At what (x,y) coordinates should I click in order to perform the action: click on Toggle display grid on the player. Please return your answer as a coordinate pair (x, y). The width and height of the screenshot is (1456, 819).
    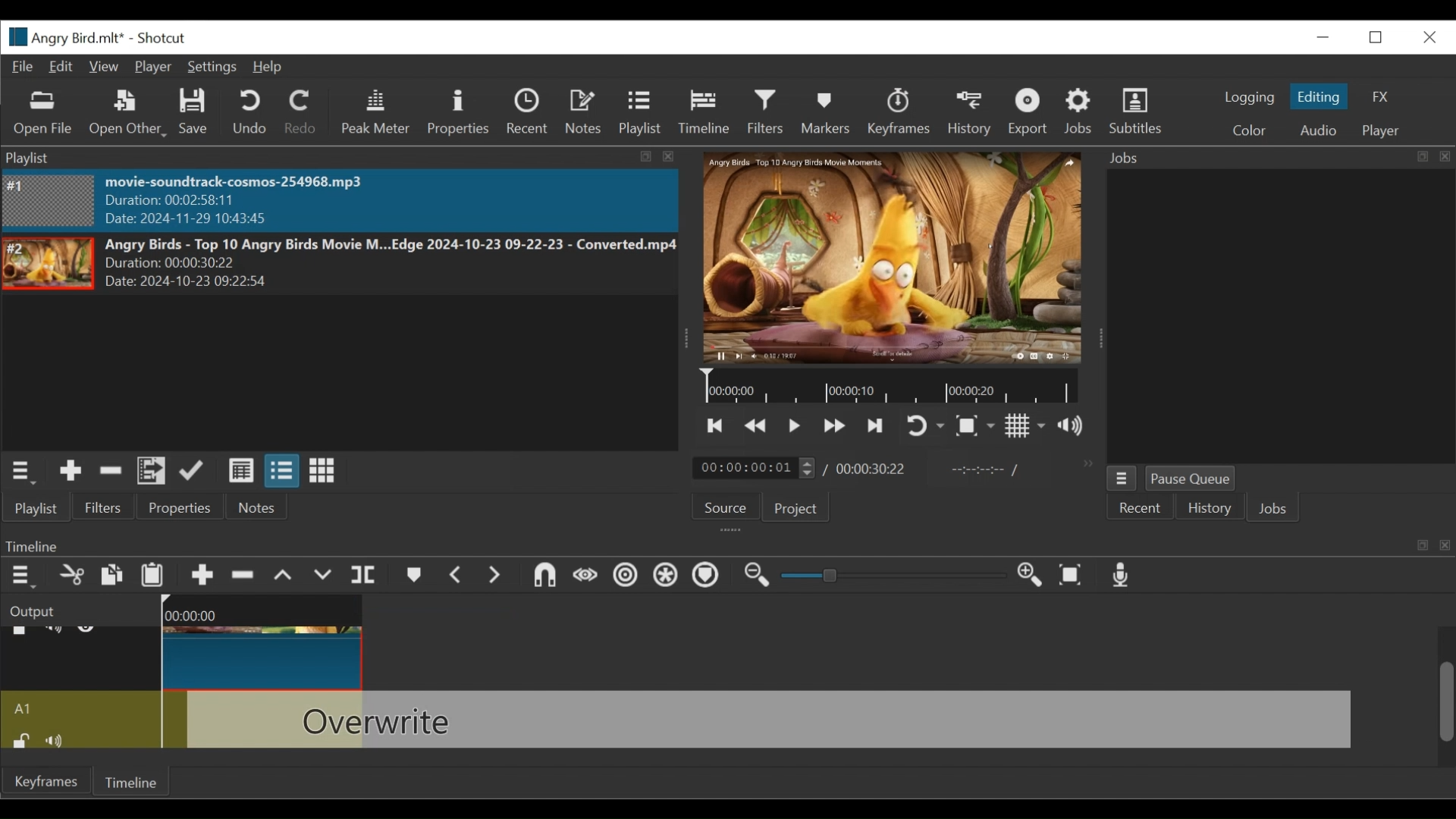
    Looking at the image, I should click on (1026, 427).